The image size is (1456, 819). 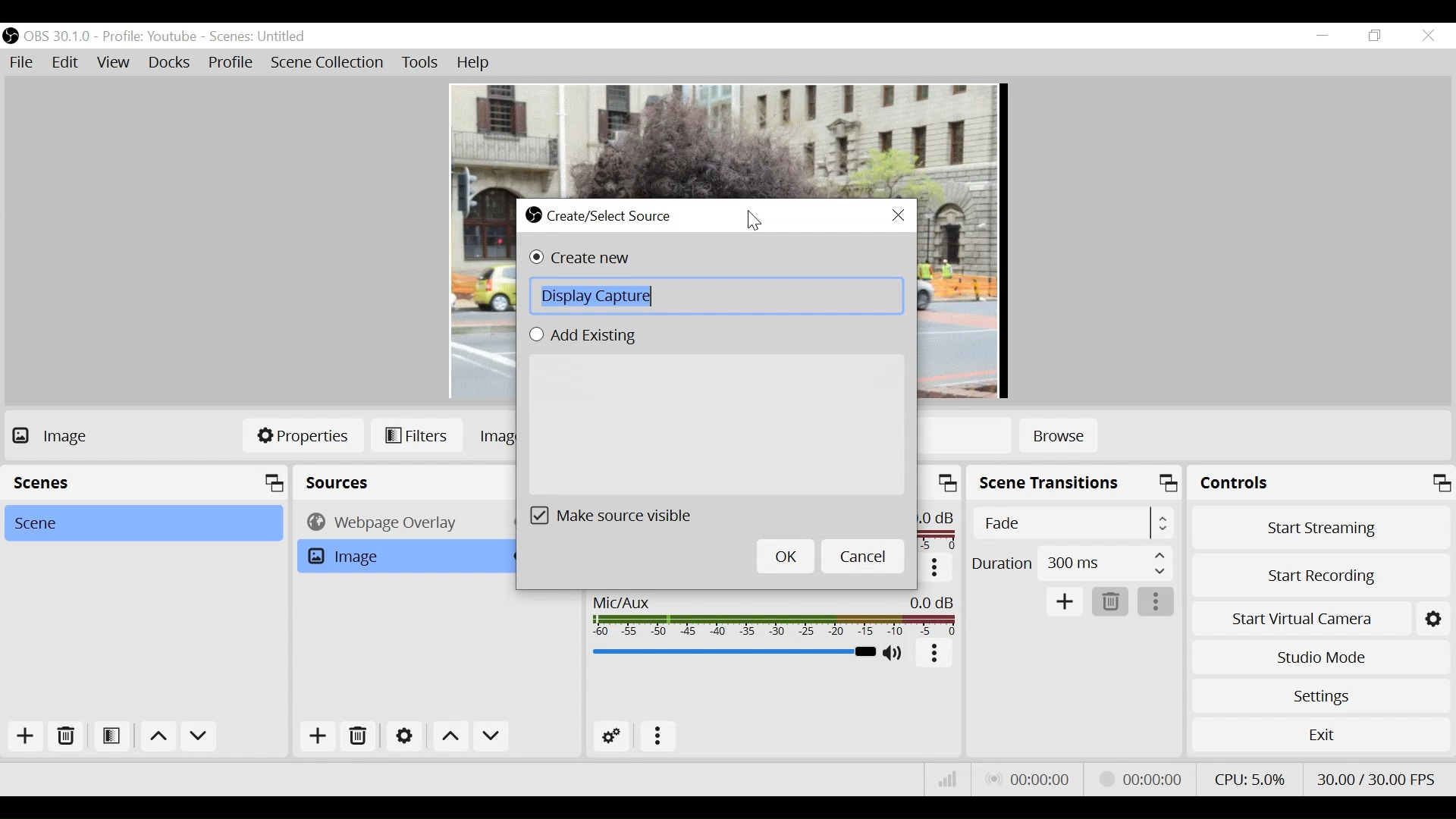 I want to click on Browser, so click(x=399, y=522).